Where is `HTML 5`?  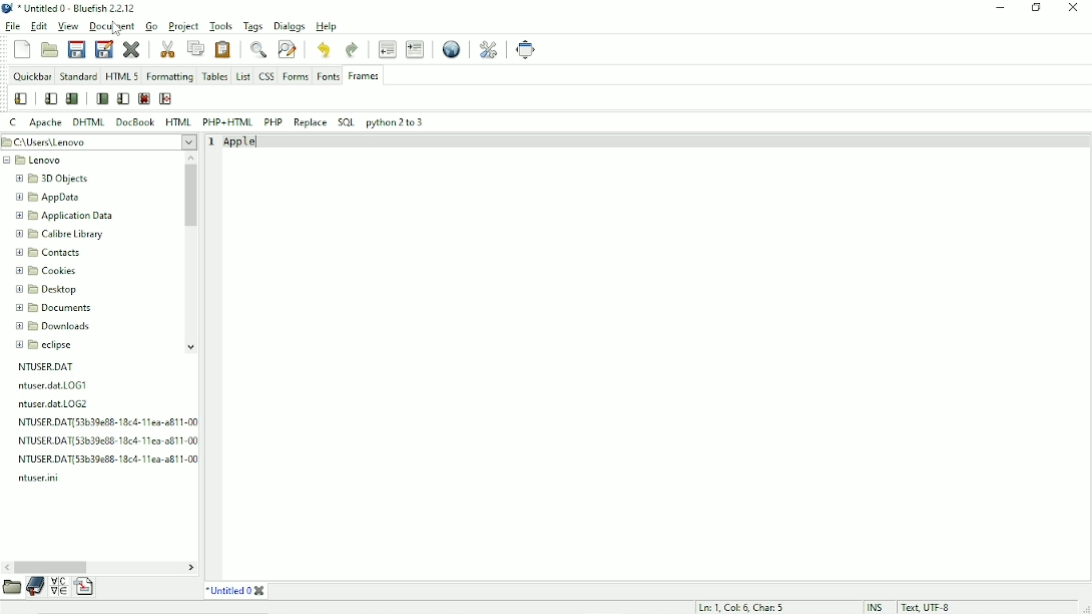 HTML 5 is located at coordinates (122, 77).